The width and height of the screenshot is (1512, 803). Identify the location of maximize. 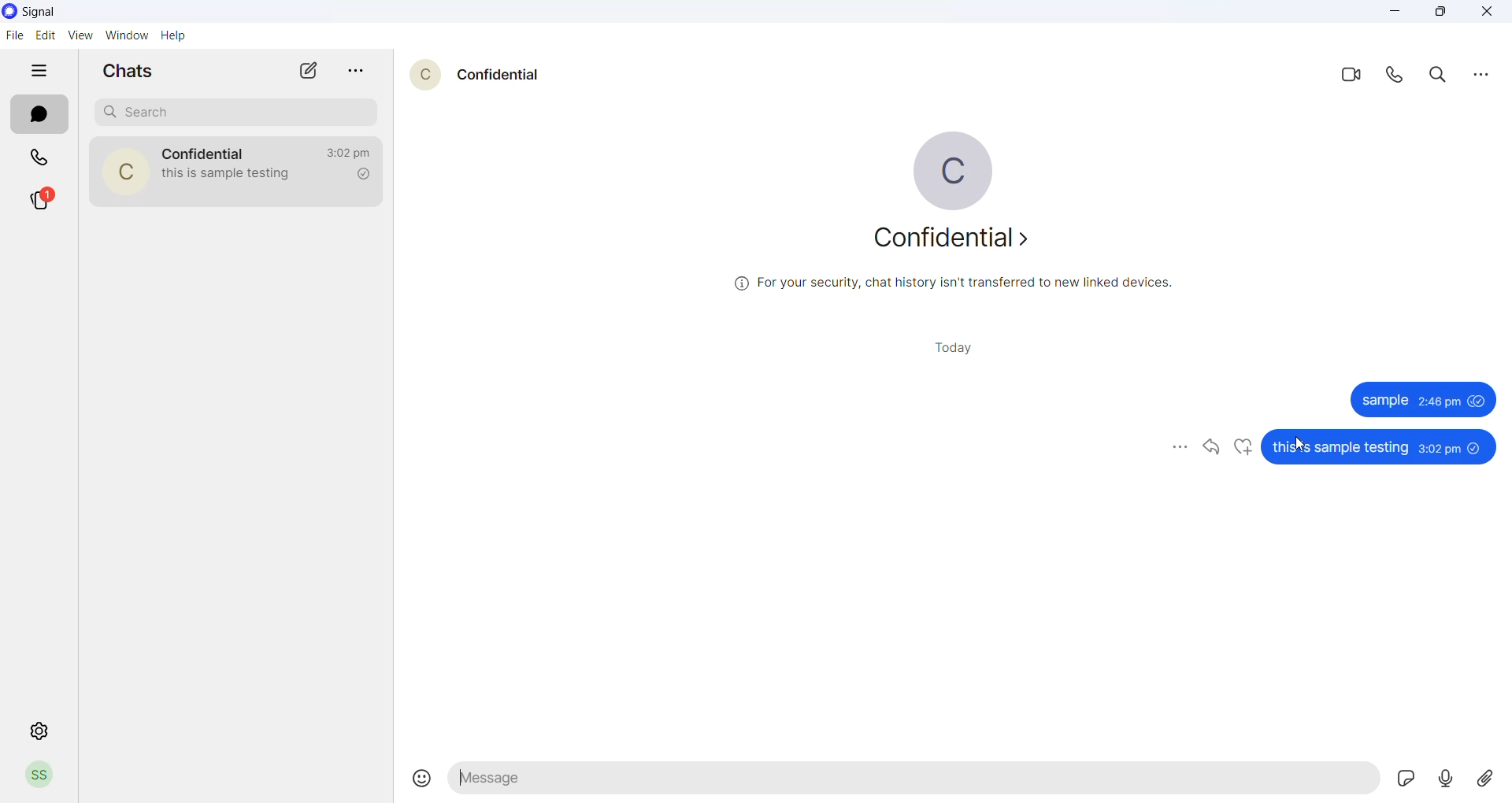
(1447, 14).